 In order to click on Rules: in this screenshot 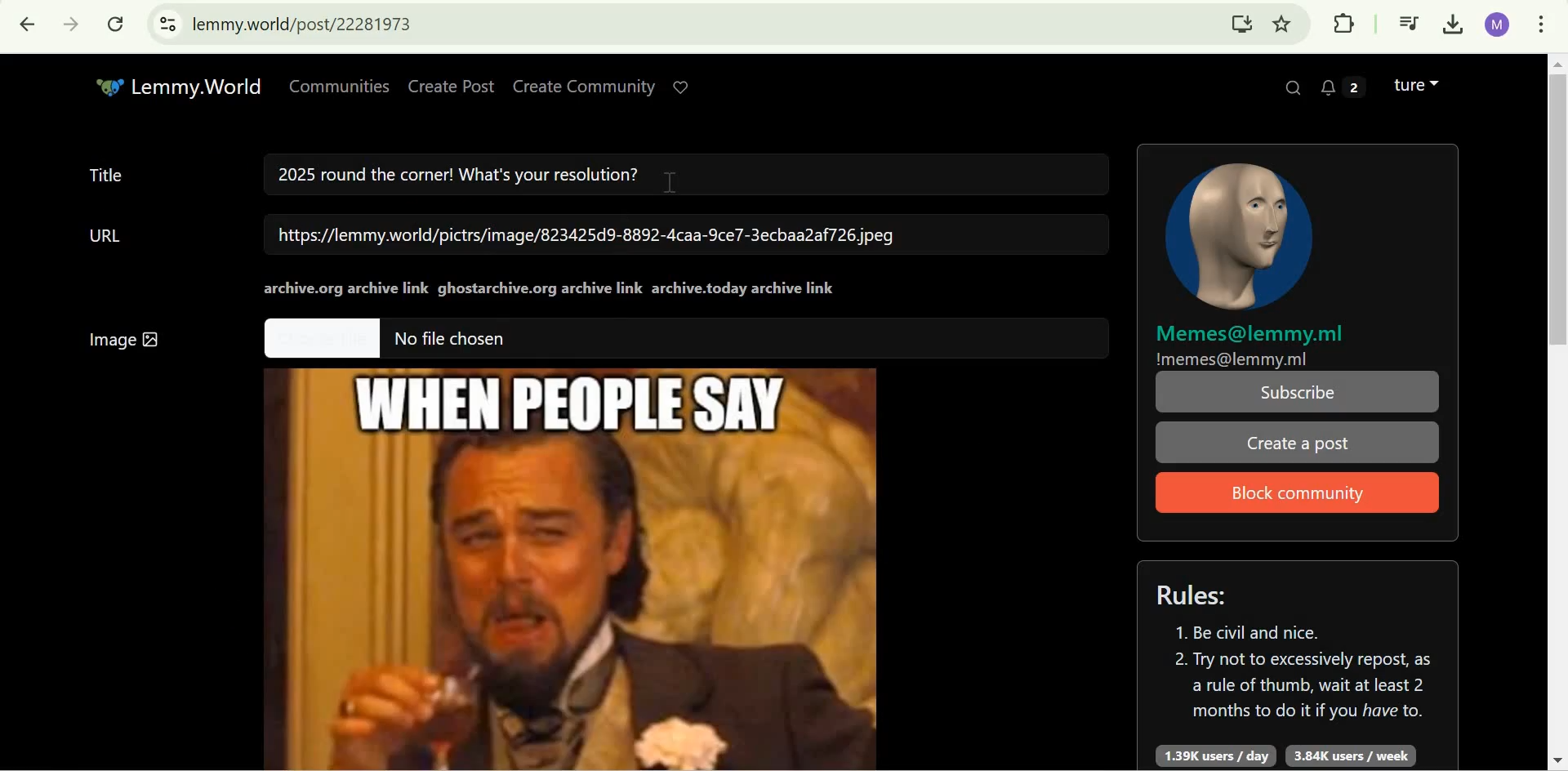, I will do `click(1199, 595)`.